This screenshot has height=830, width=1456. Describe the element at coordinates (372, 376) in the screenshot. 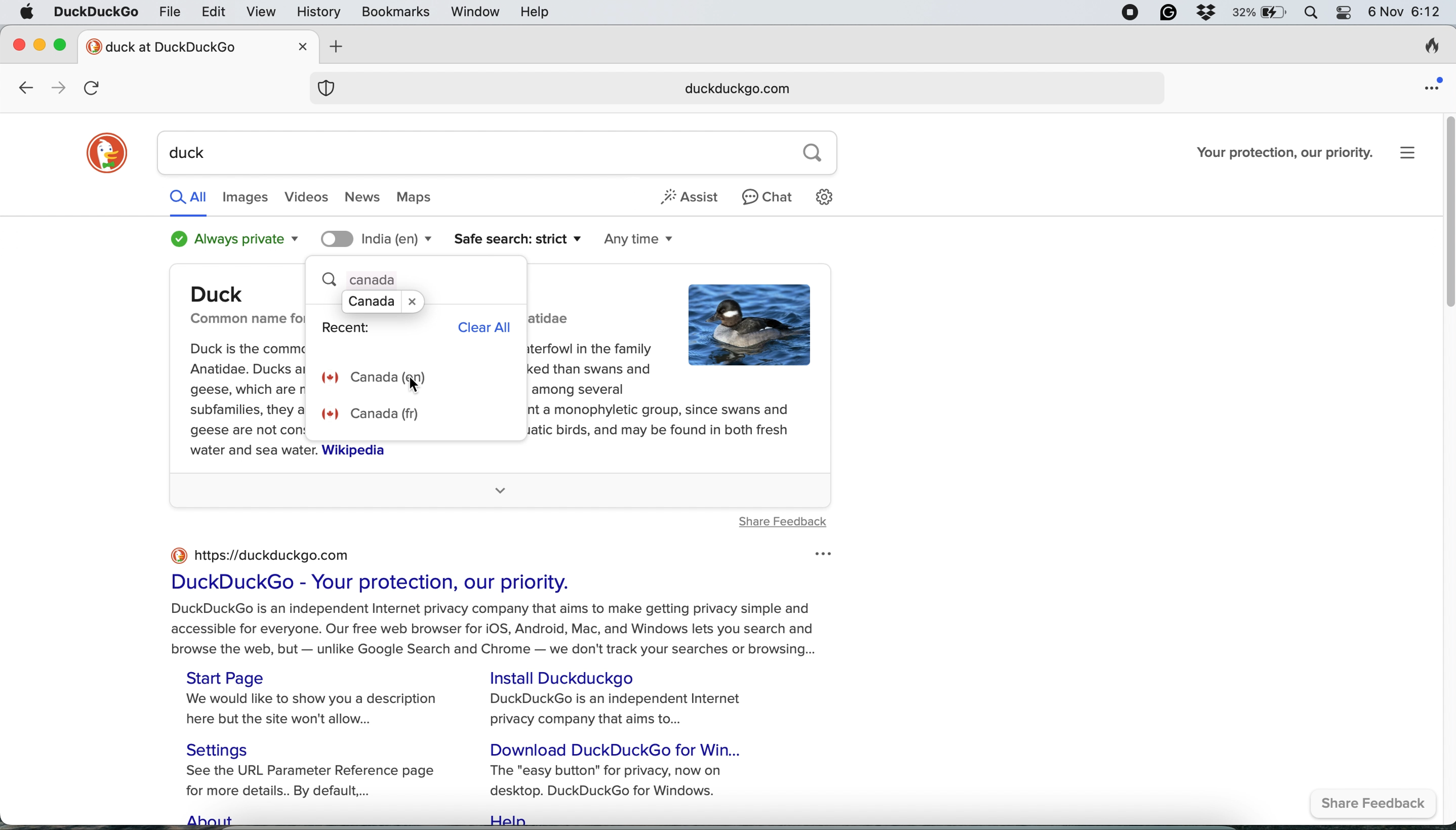

I see `canada english` at that location.